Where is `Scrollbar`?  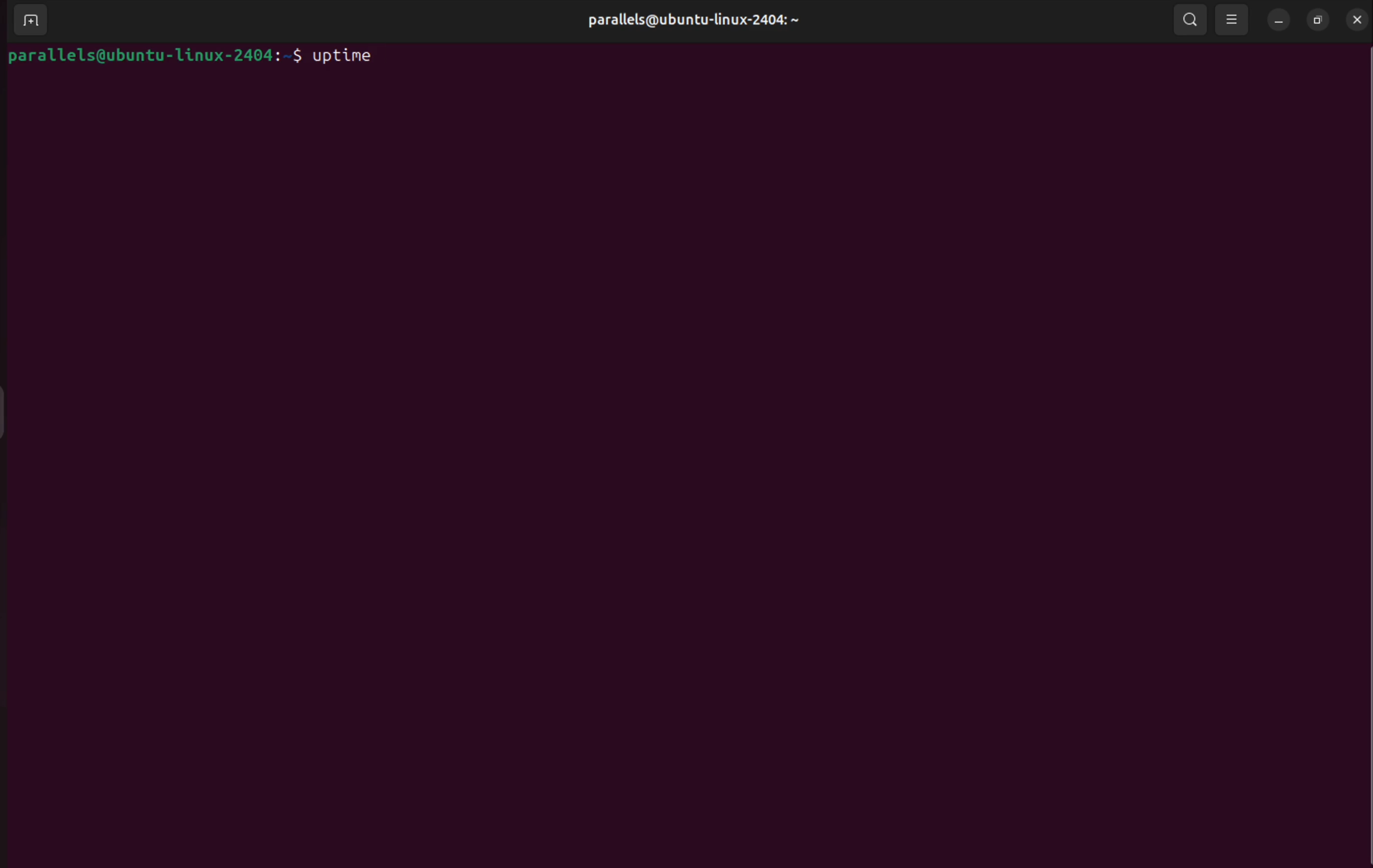
Scrollbar is located at coordinates (1364, 400).